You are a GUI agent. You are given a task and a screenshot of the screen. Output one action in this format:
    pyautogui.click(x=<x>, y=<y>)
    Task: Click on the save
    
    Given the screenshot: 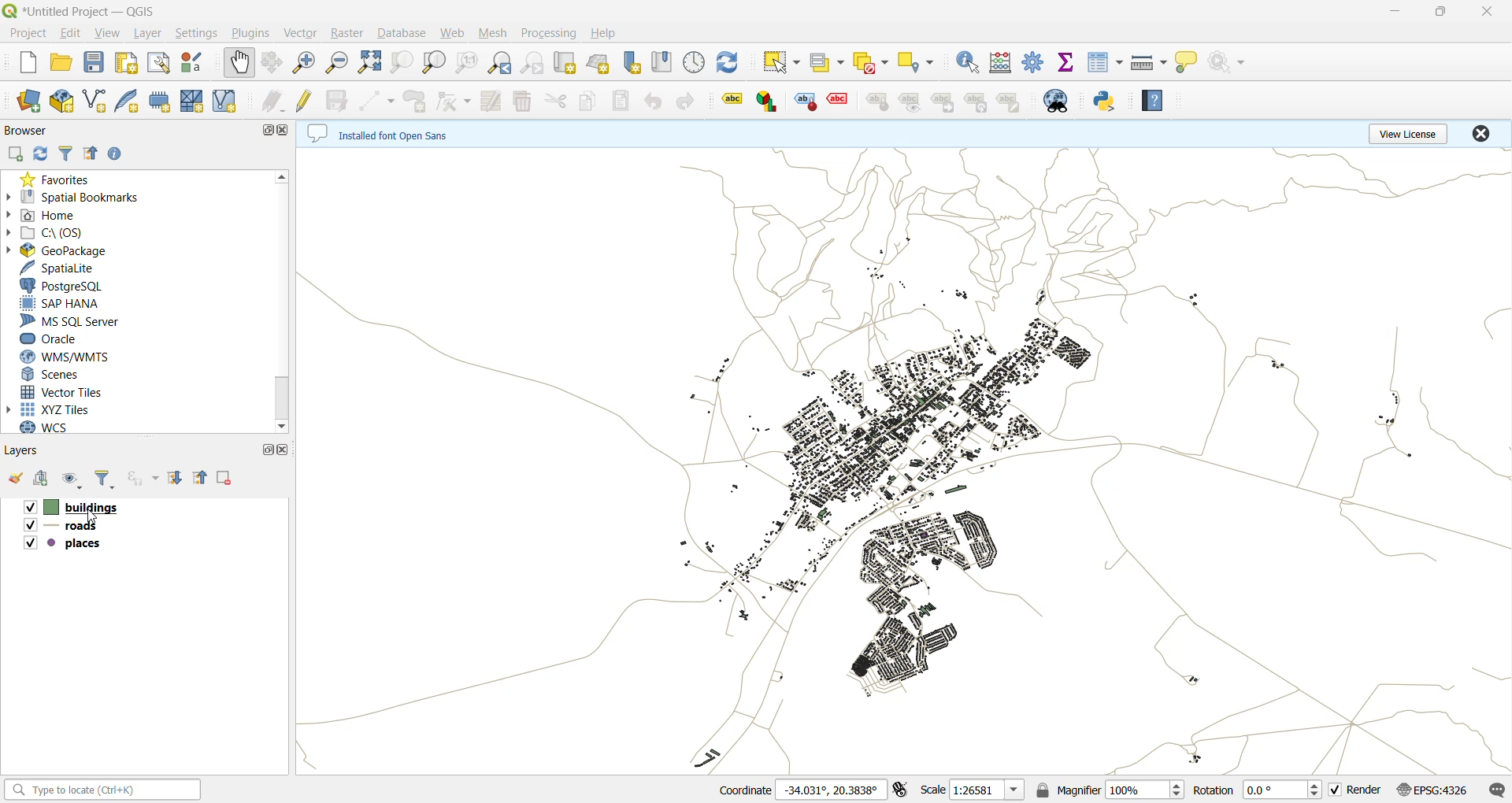 What is the action you would take?
    pyautogui.click(x=94, y=62)
    